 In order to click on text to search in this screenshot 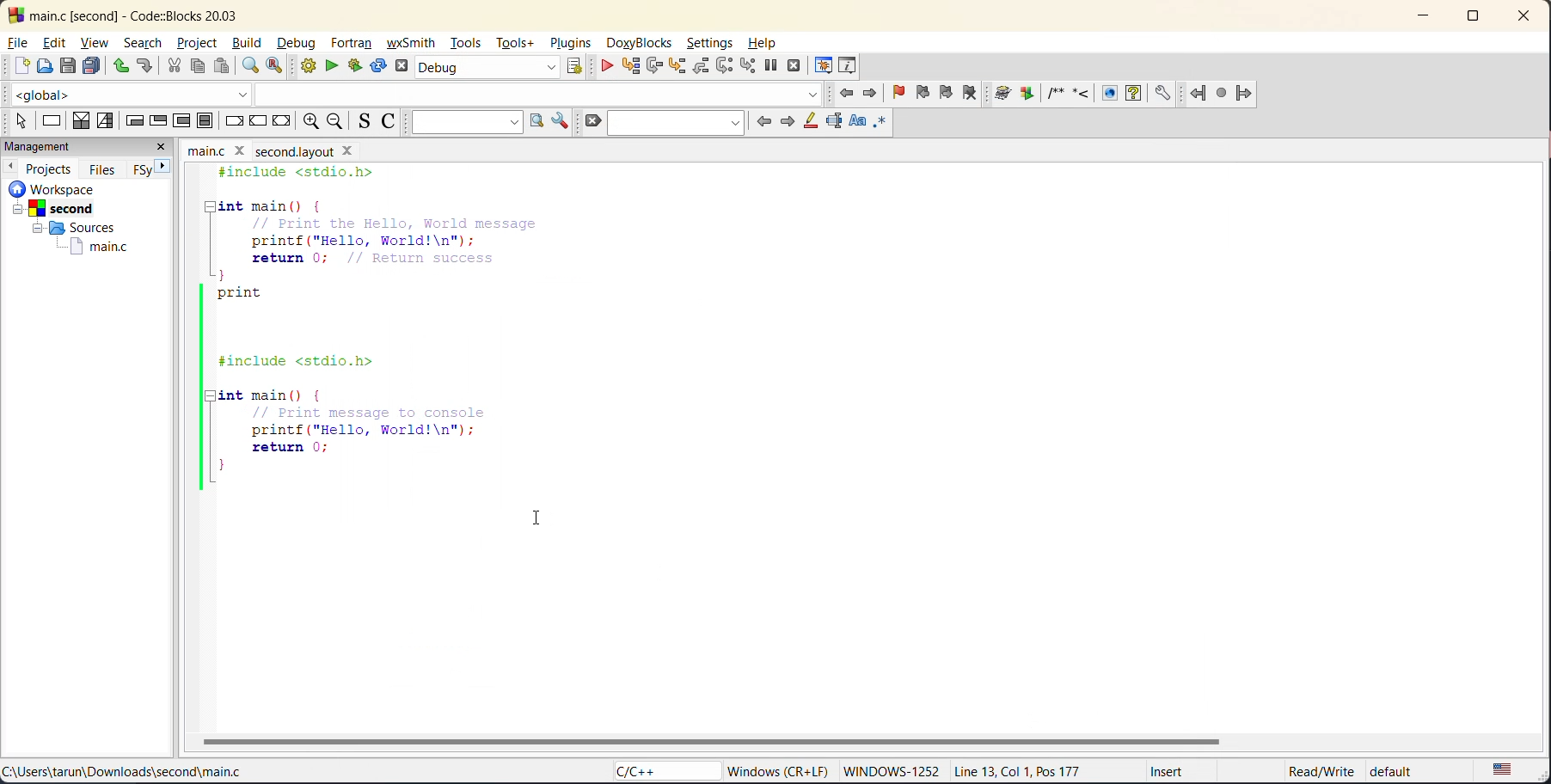, I will do `click(466, 121)`.